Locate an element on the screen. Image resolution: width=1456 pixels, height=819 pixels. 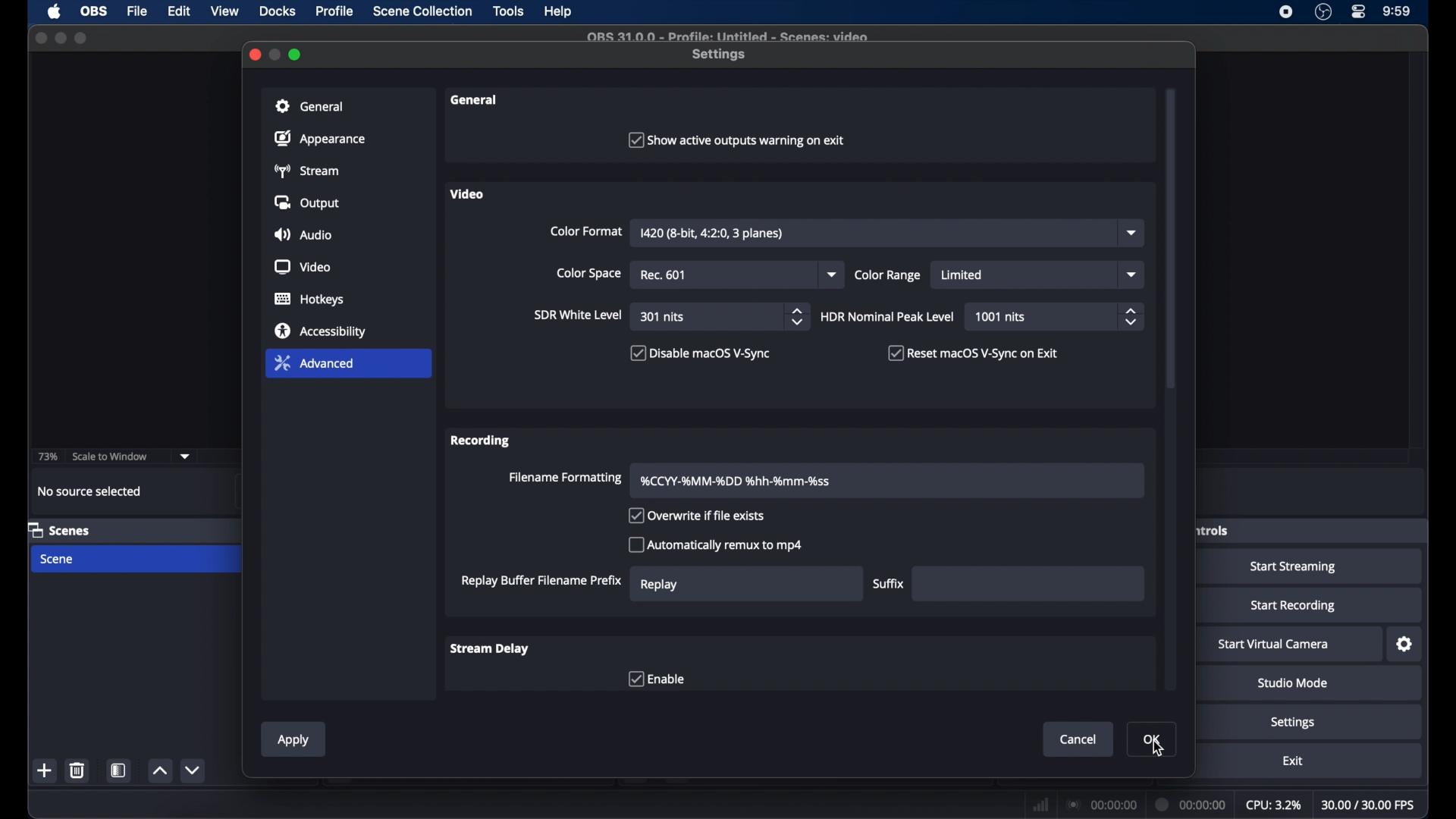
color space is located at coordinates (588, 273).